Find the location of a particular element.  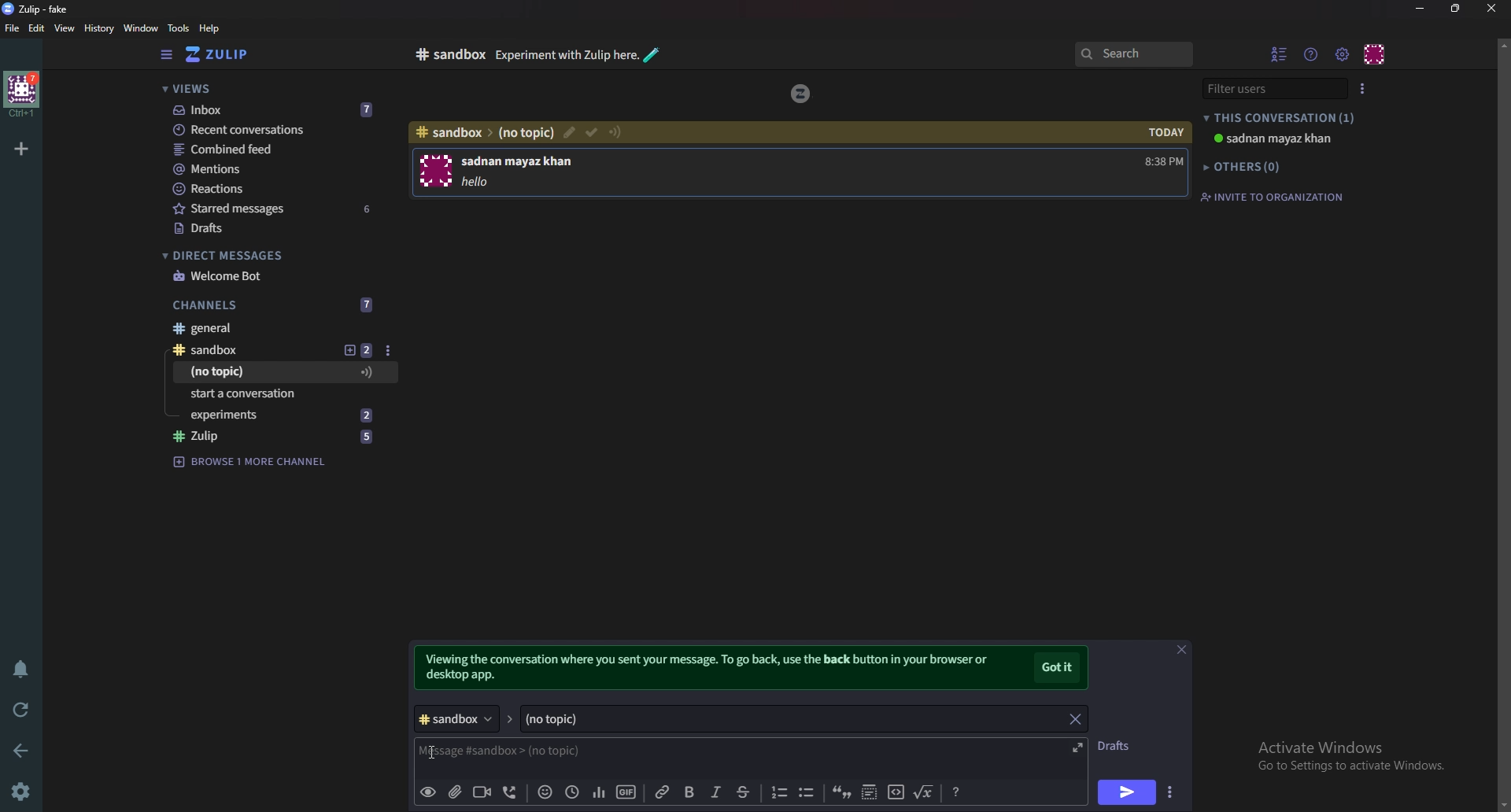

link is located at coordinates (663, 792).